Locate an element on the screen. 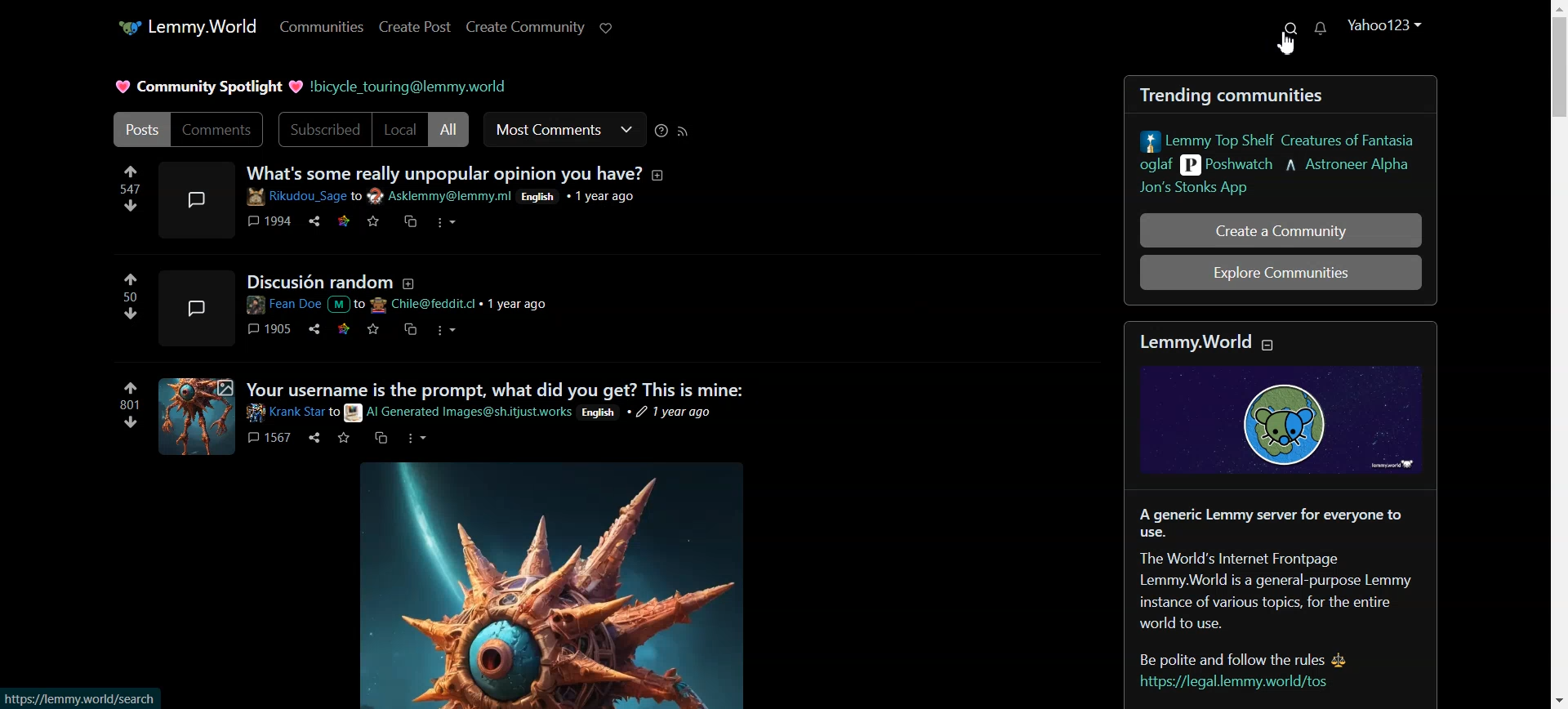 Image resolution: width=1568 pixels, height=709 pixels. Support limmy is located at coordinates (604, 27).